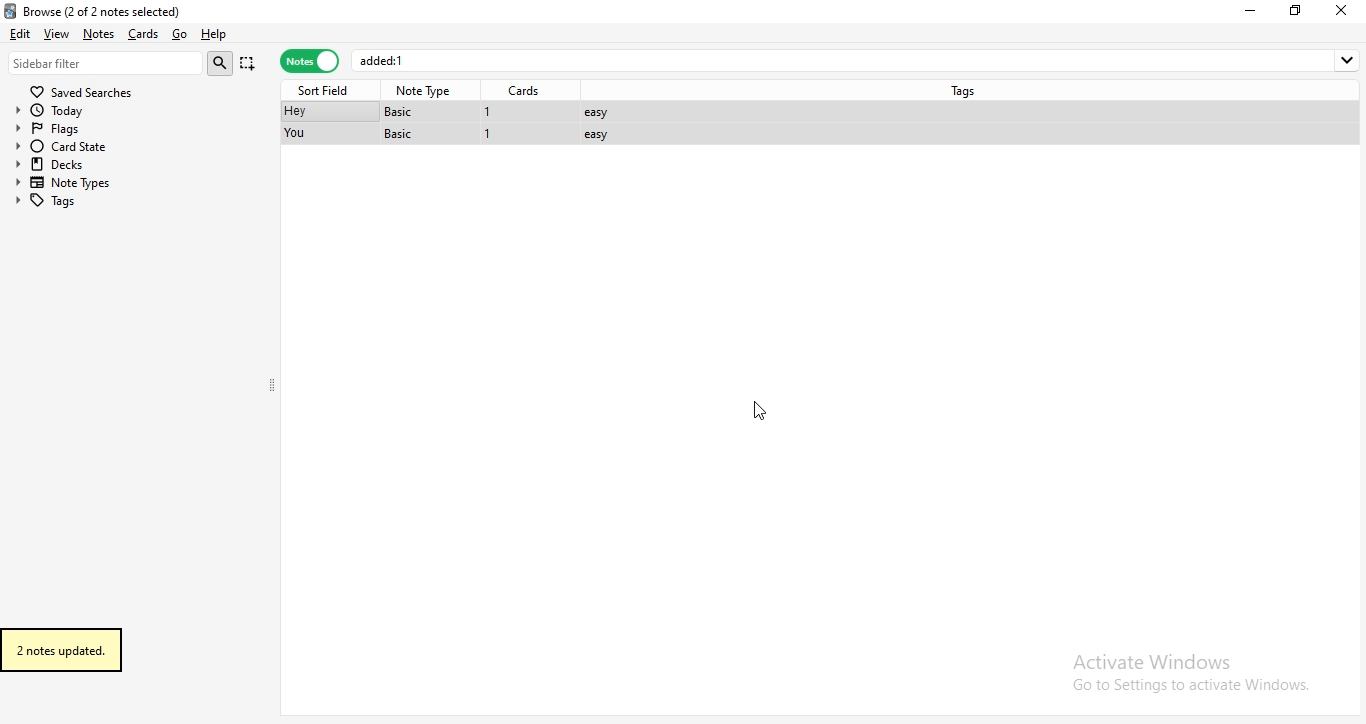 The height and width of the screenshot is (724, 1366). Describe the element at coordinates (858, 60) in the screenshot. I see `added:1` at that location.